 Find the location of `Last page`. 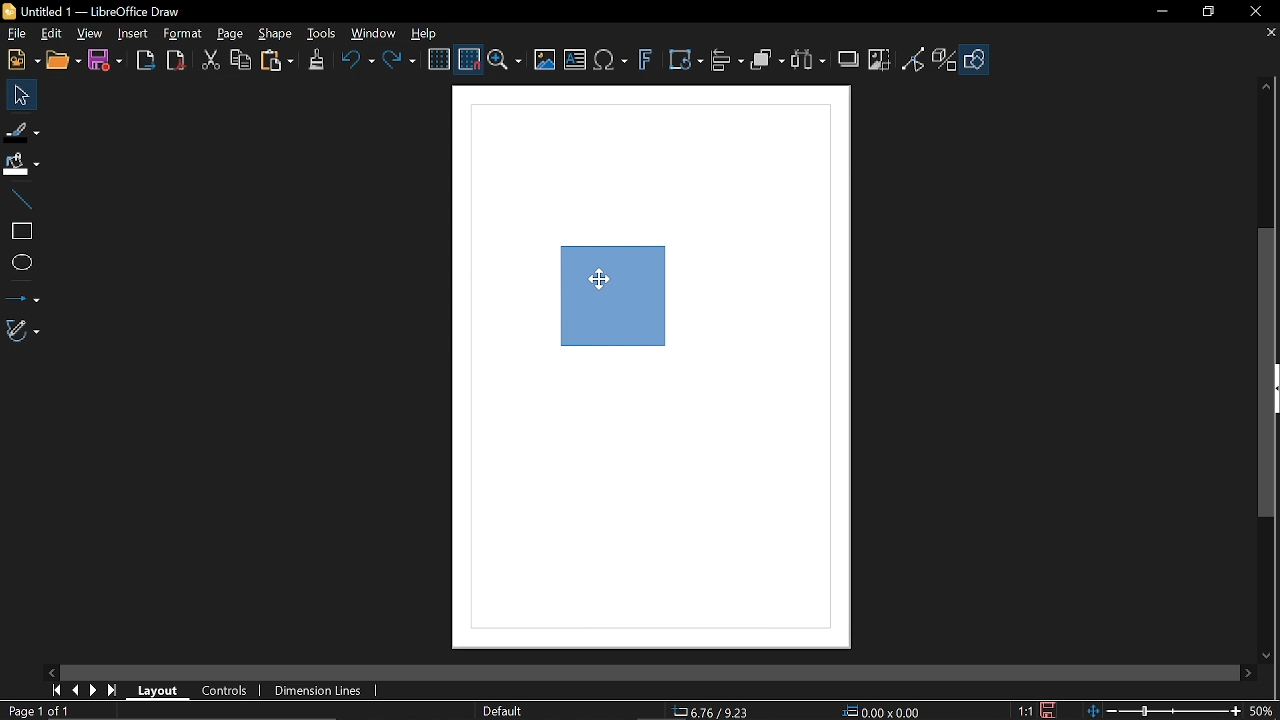

Last page is located at coordinates (112, 691).